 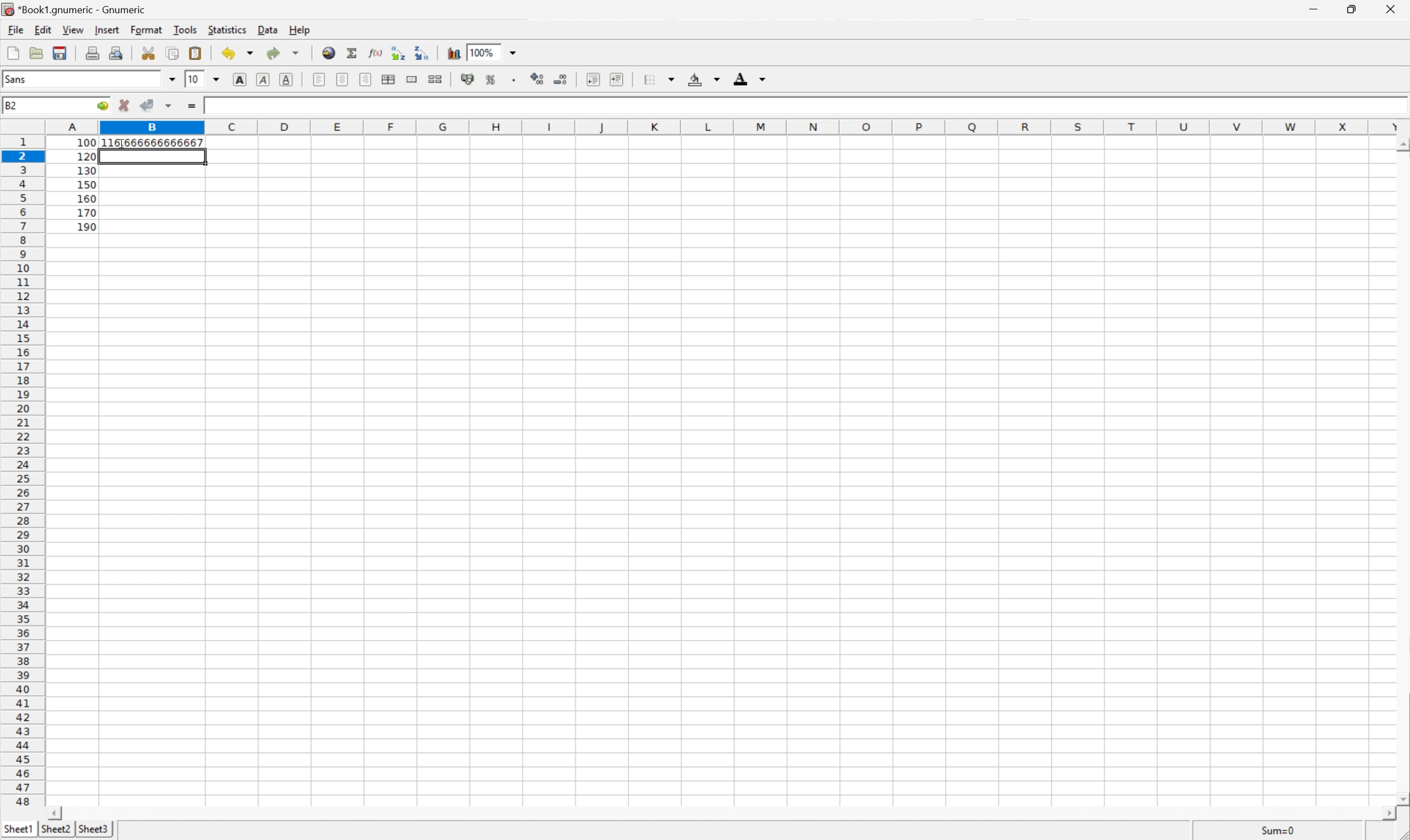 What do you see at coordinates (73, 29) in the screenshot?
I see `View` at bounding box center [73, 29].